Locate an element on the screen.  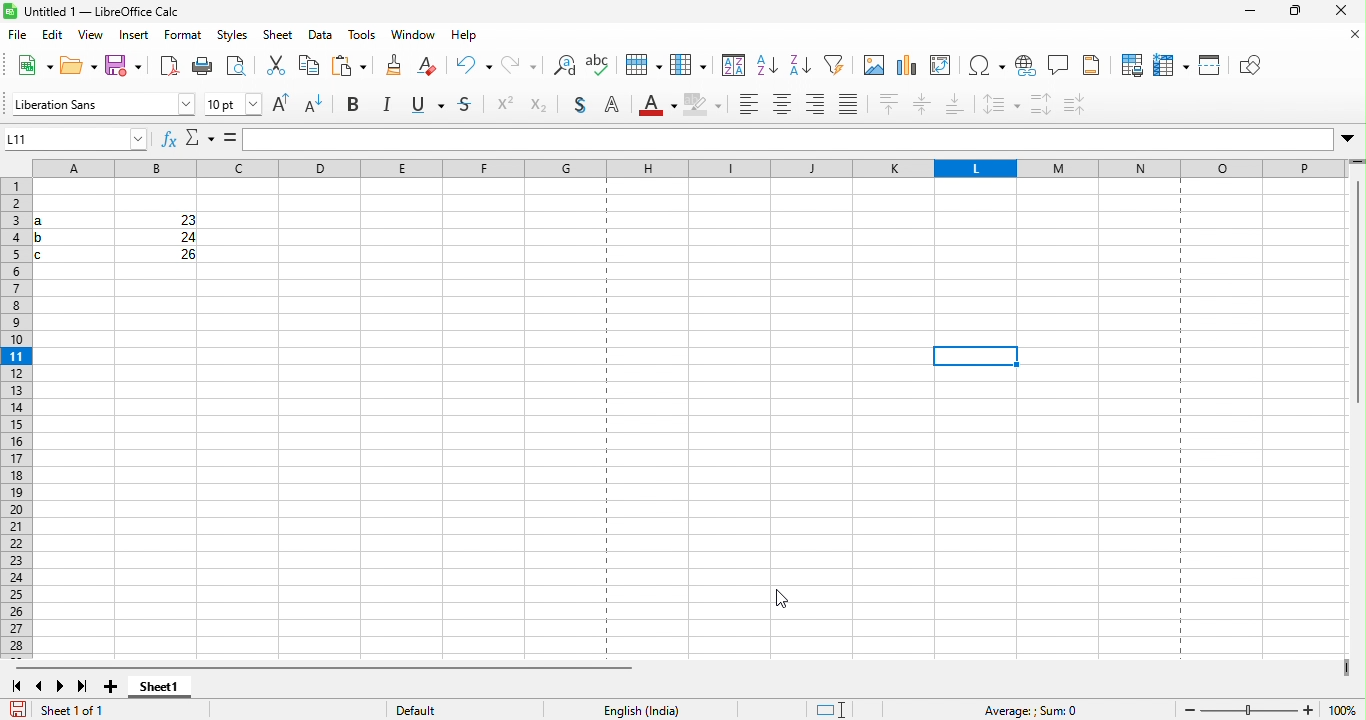
 is located at coordinates (1088, 104).